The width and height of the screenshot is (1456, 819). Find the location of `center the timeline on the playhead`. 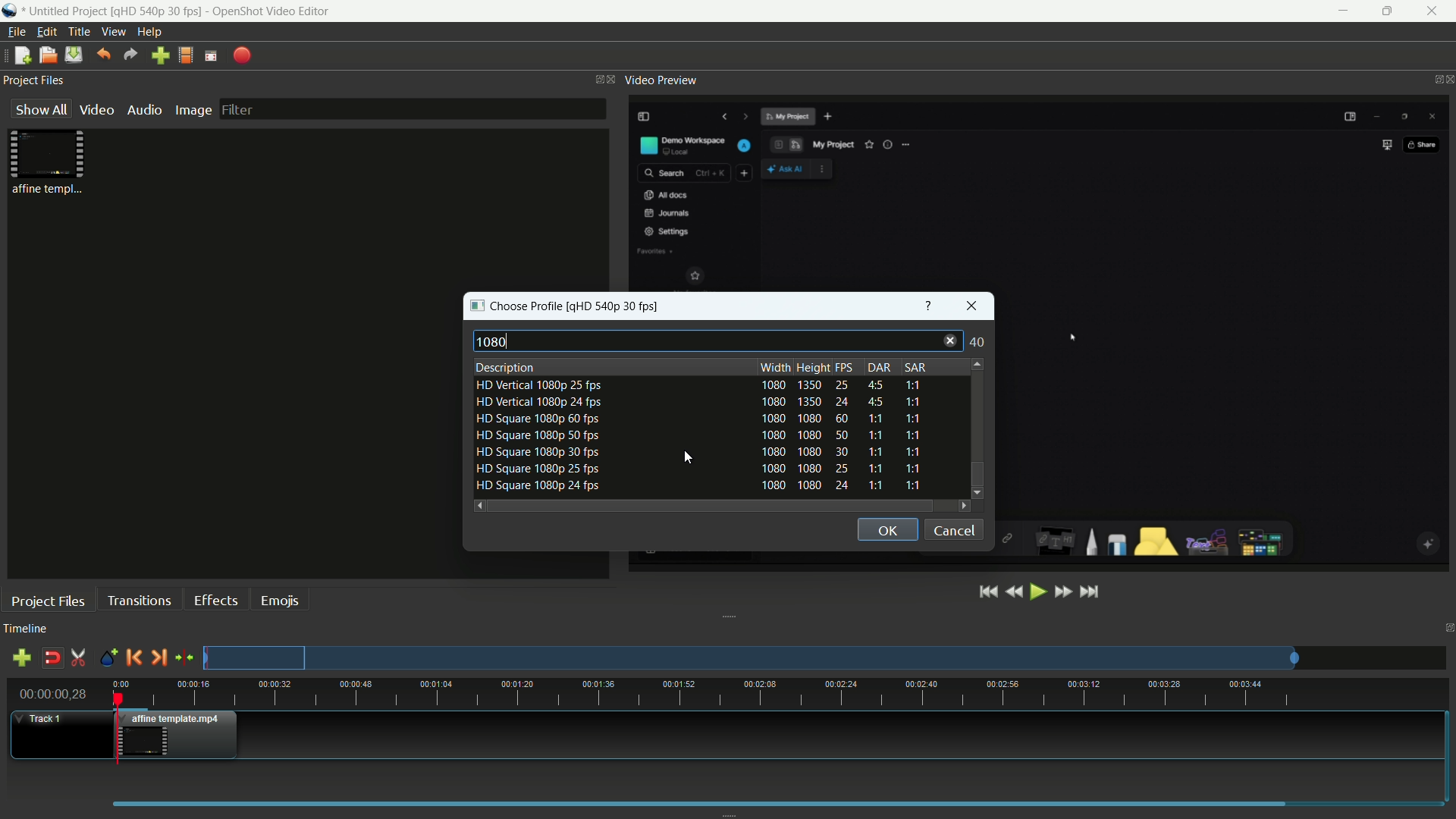

center the timeline on the playhead is located at coordinates (184, 657).